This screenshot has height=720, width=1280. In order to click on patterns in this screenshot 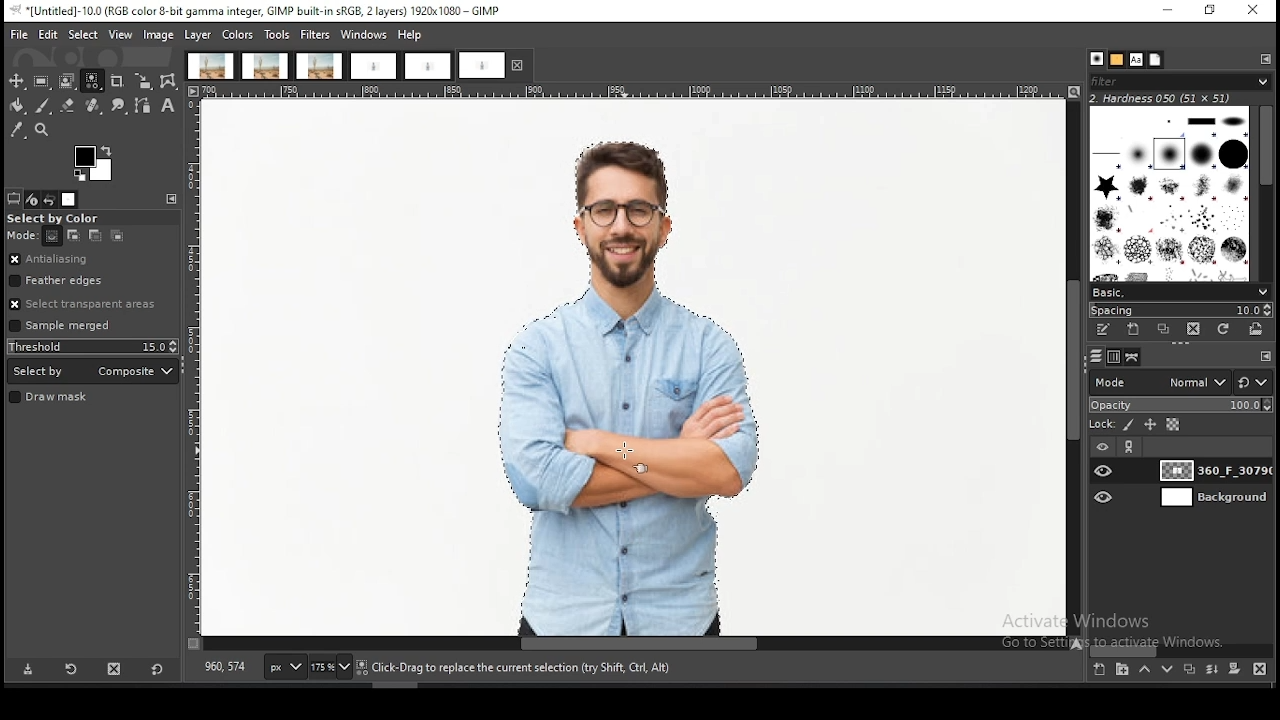, I will do `click(1118, 60)`.